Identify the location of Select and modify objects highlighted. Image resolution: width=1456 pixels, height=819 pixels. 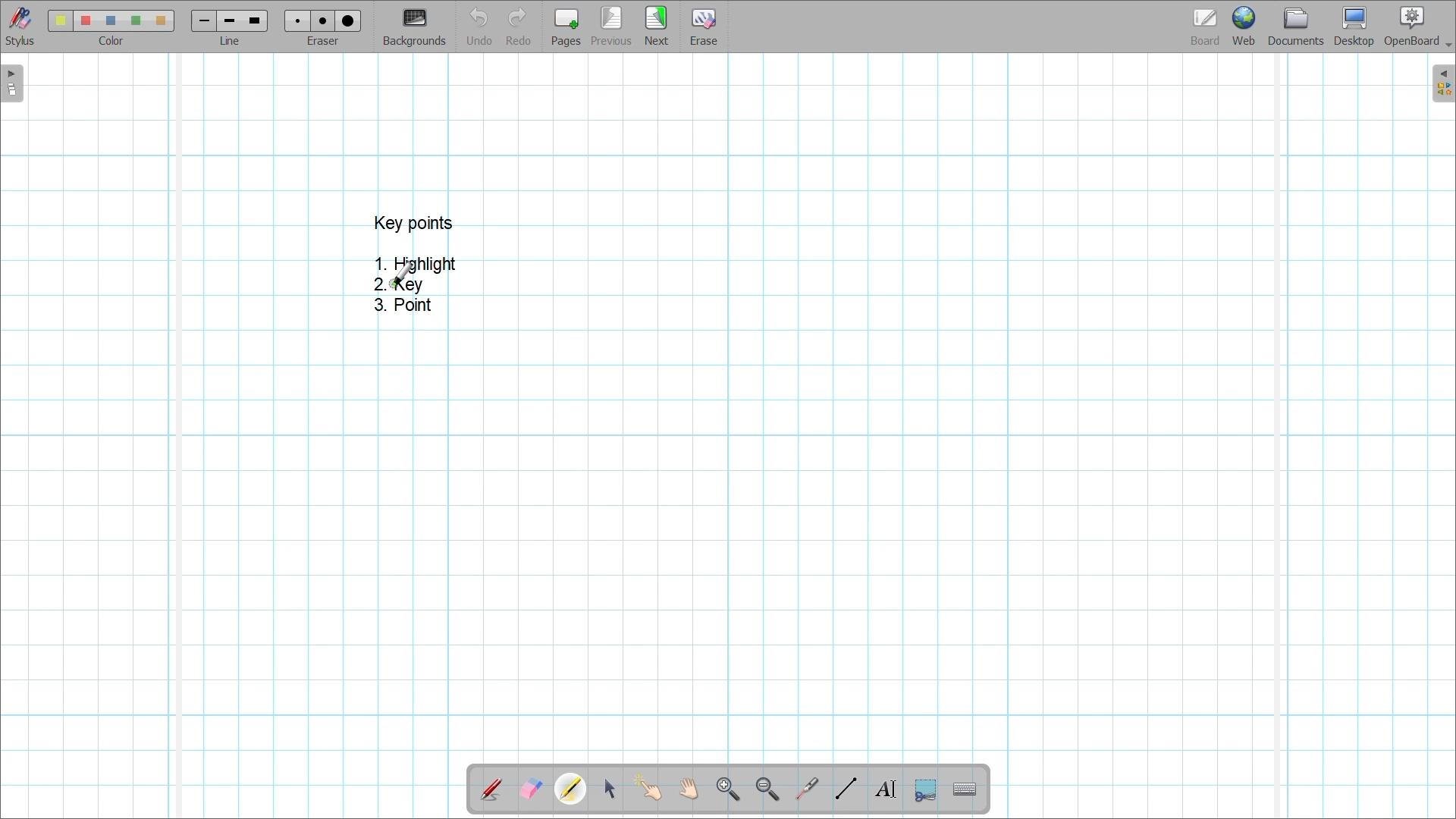
(609, 789).